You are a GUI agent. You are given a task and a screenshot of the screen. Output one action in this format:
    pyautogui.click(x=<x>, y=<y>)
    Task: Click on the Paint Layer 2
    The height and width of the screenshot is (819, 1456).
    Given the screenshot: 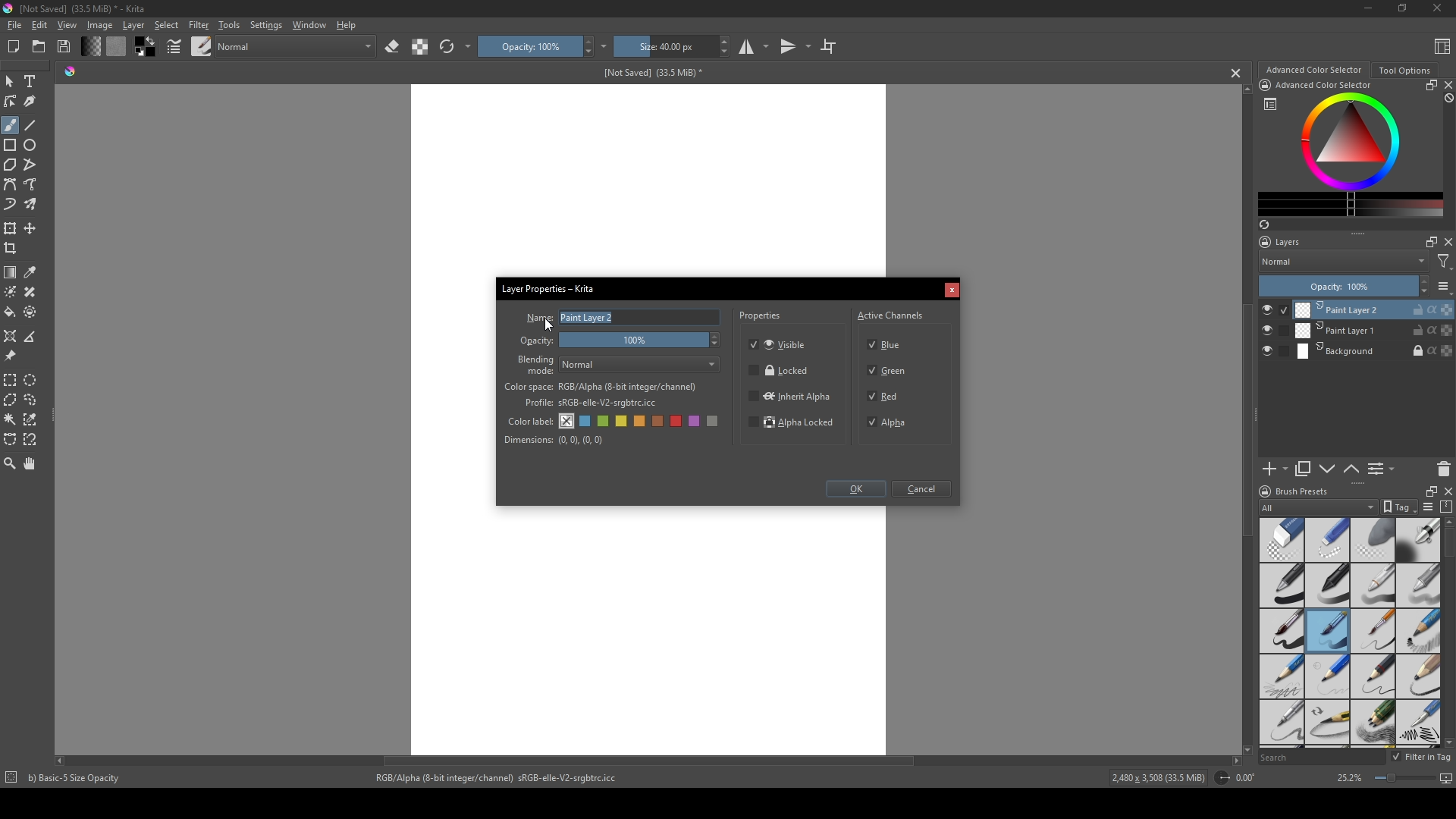 What is the action you would take?
    pyautogui.click(x=640, y=318)
    